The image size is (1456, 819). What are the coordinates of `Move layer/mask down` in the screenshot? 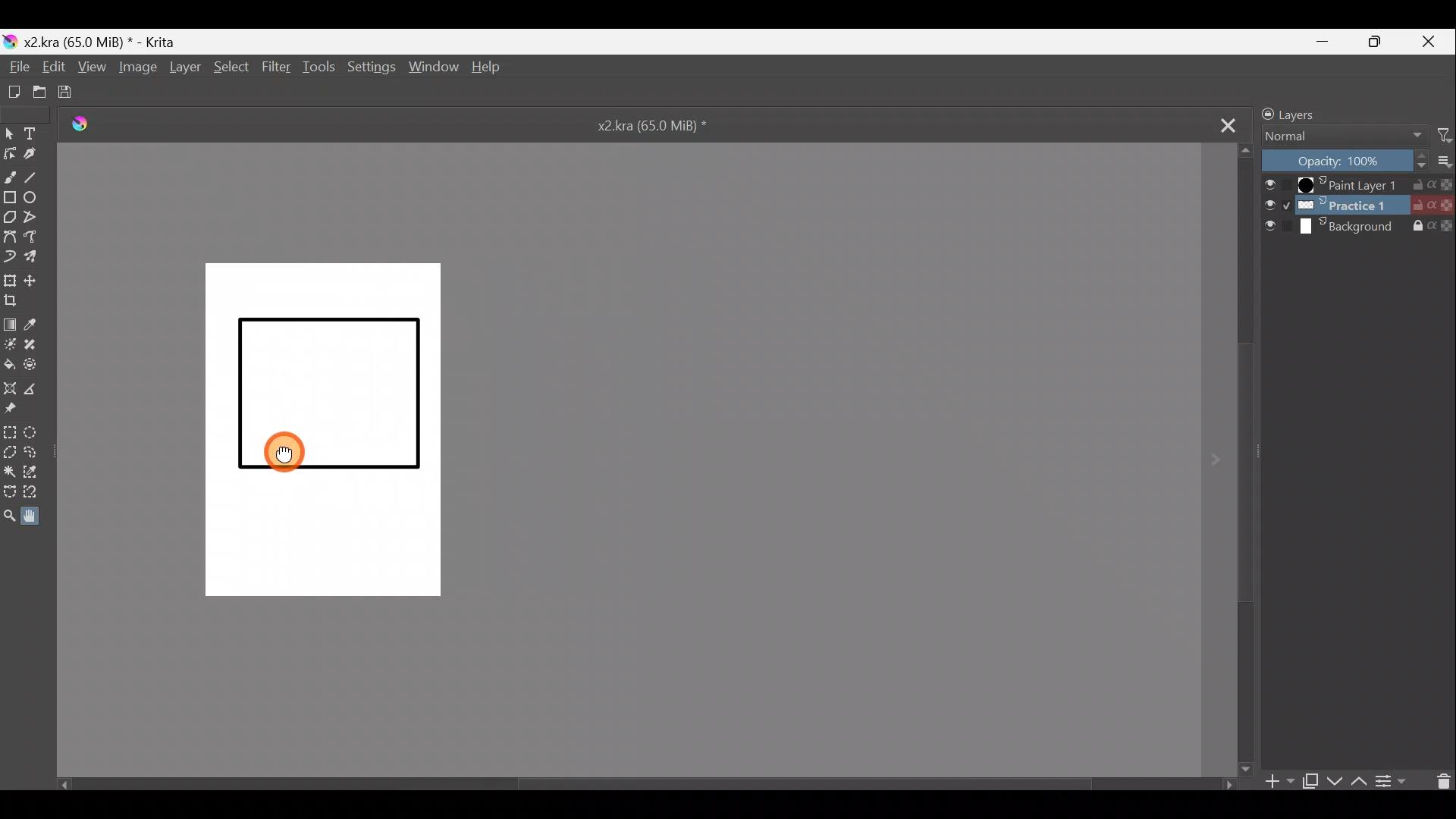 It's located at (1332, 781).